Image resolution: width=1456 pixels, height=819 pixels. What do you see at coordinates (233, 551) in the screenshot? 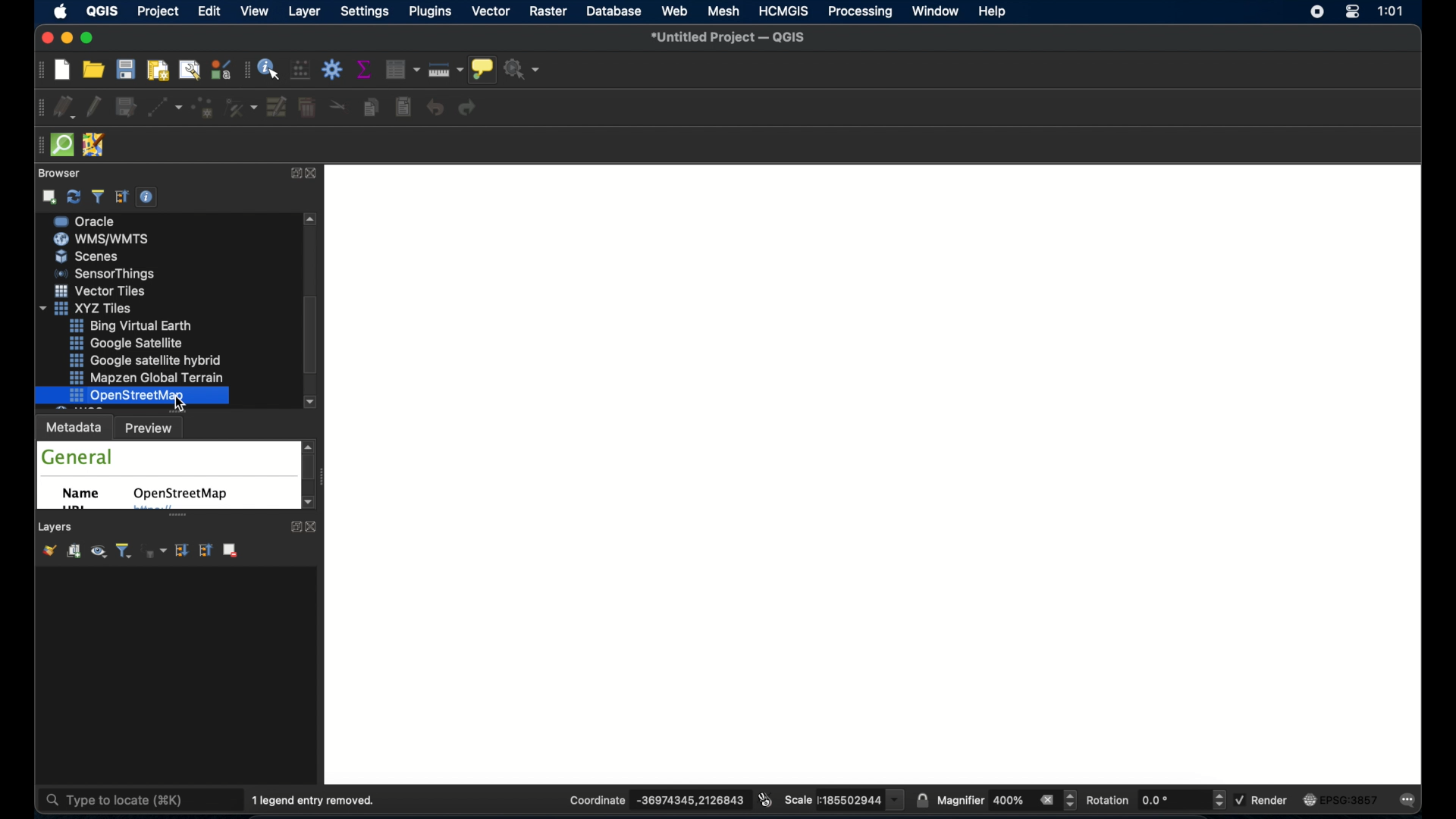
I see `remove layer group` at bounding box center [233, 551].